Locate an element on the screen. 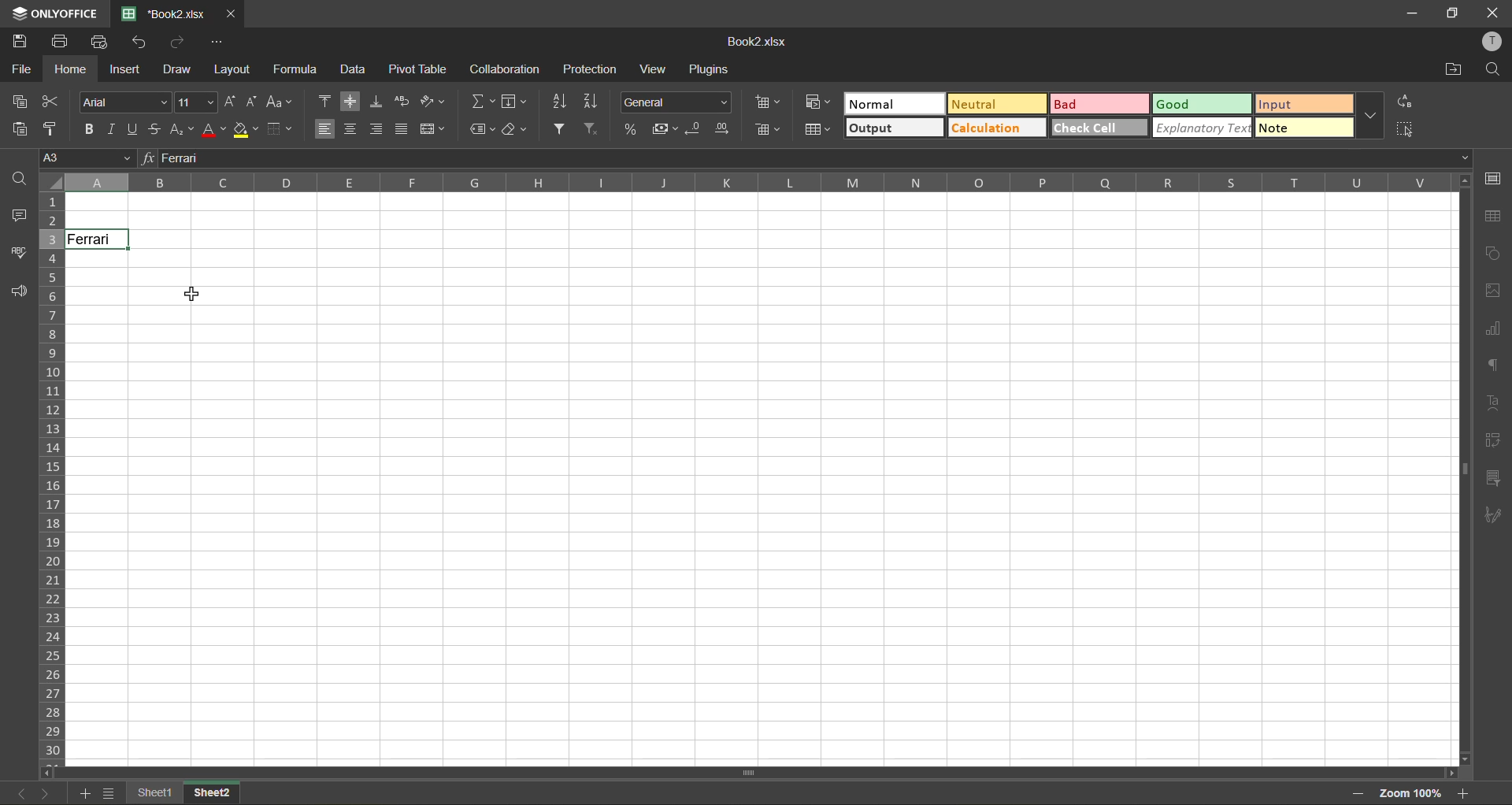 Image resolution: width=1512 pixels, height=805 pixels. table is located at coordinates (1492, 216).